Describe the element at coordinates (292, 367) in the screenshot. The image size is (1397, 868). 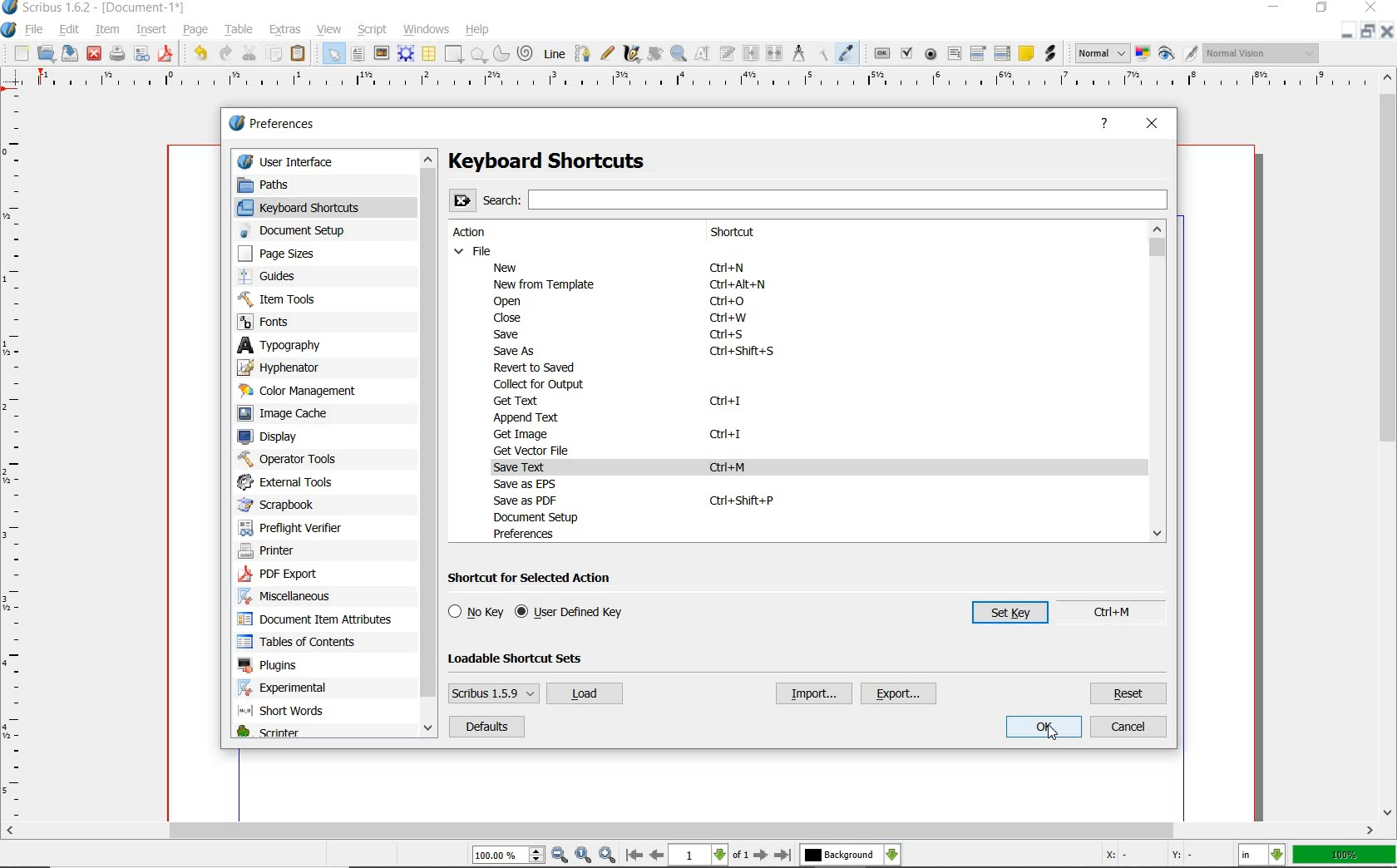
I see `hyphenator` at that location.